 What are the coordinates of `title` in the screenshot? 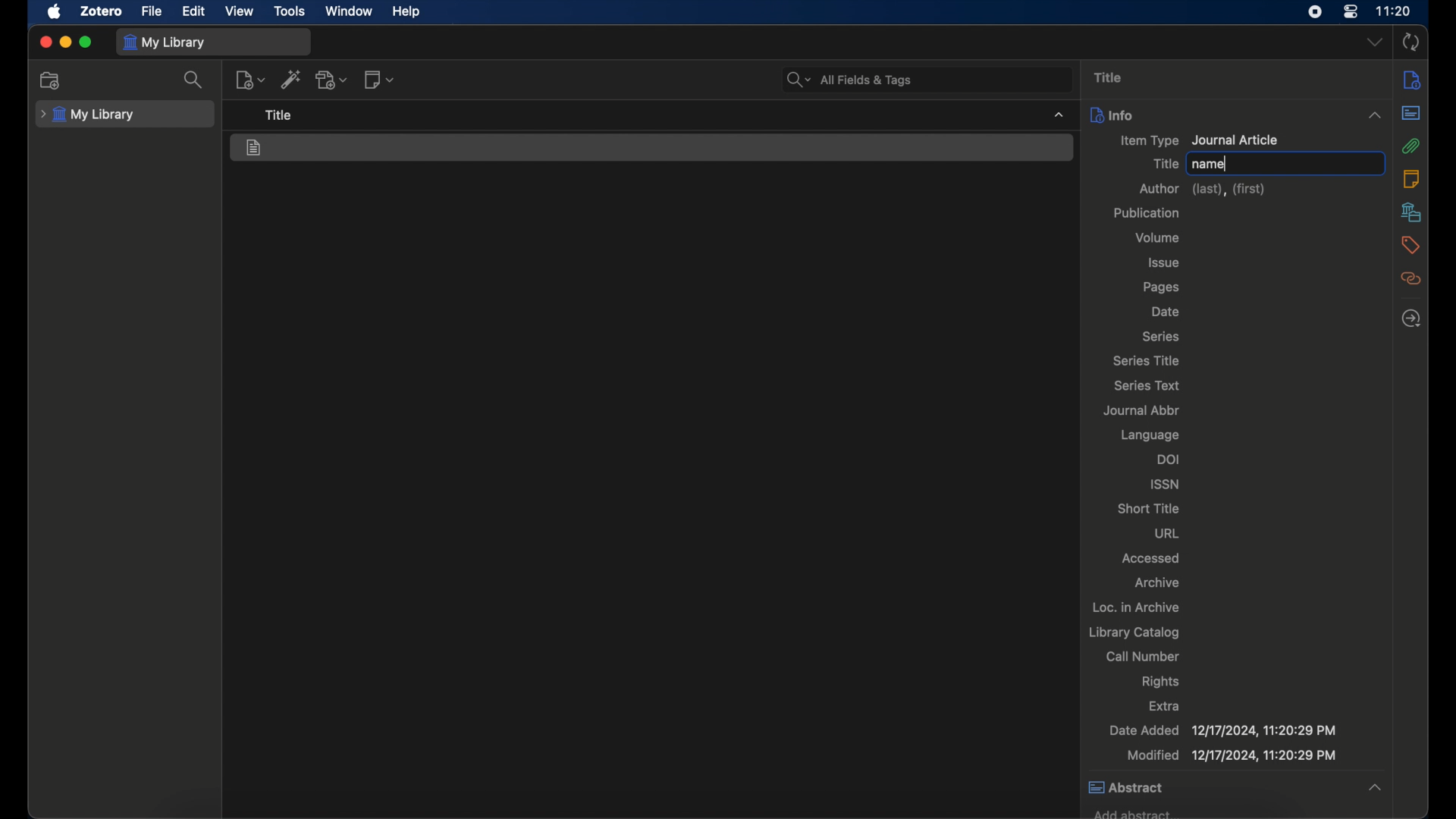 It's located at (1109, 77).